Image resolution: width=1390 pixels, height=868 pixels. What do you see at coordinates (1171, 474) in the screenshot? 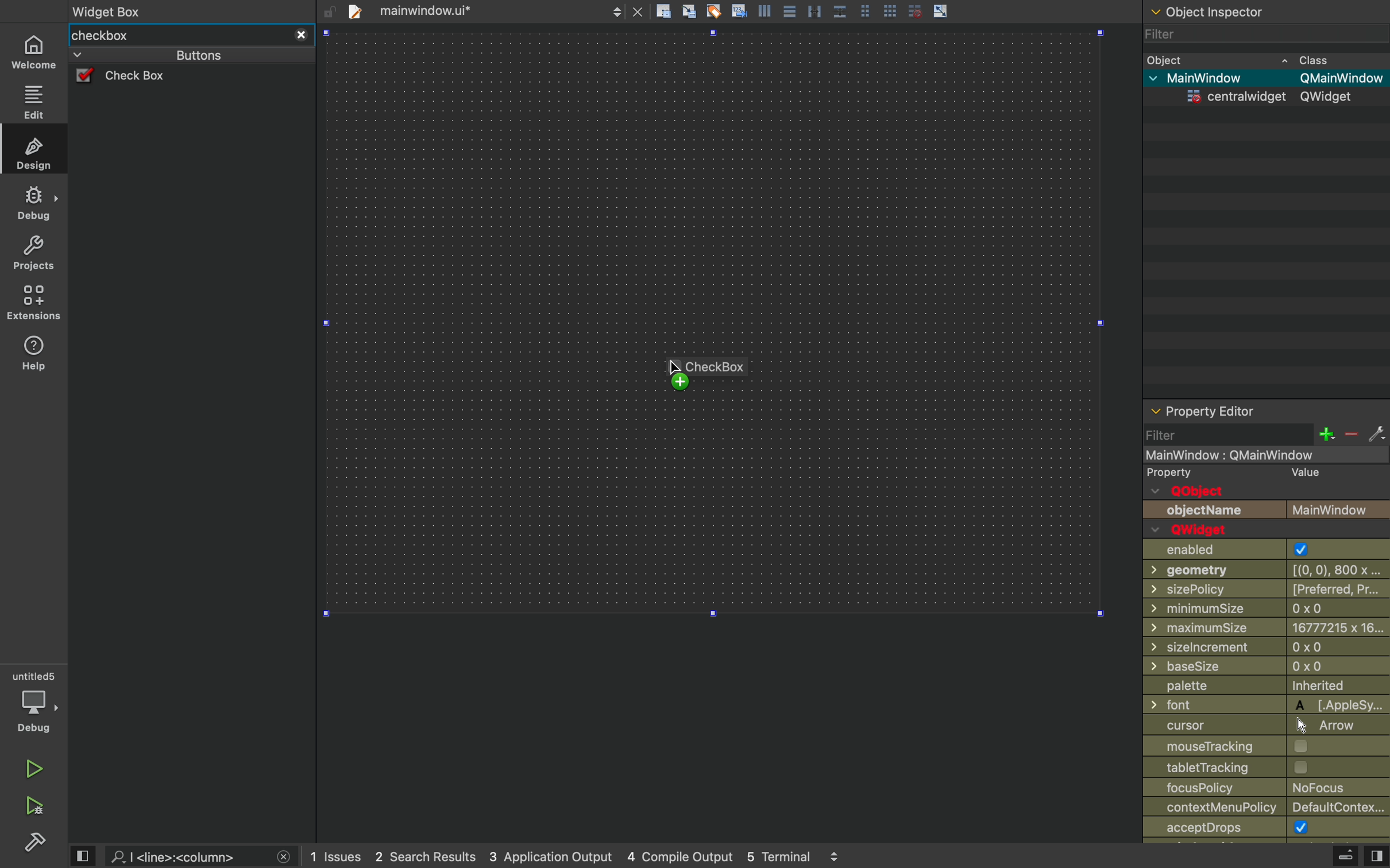
I see `property` at bounding box center [1171, 474].